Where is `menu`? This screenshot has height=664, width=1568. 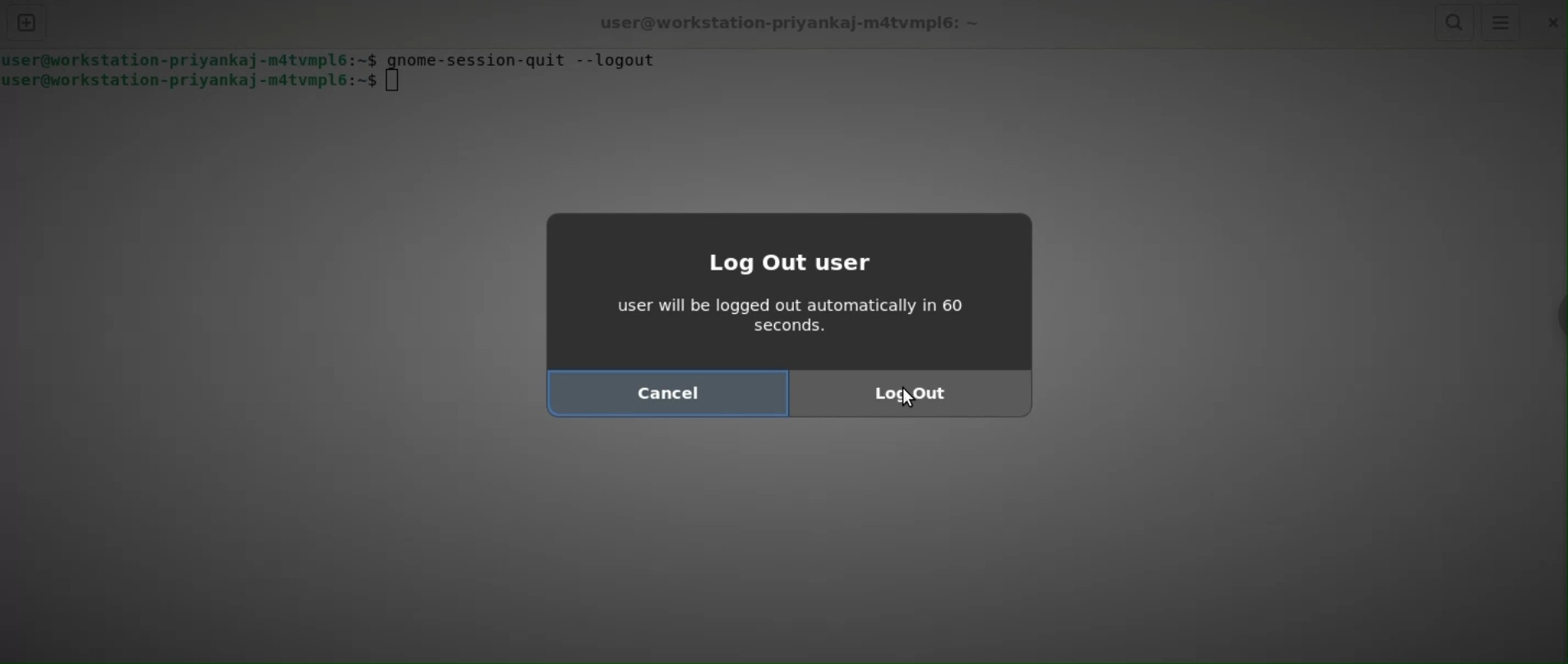 menu is located at coordinates (1500, 23).